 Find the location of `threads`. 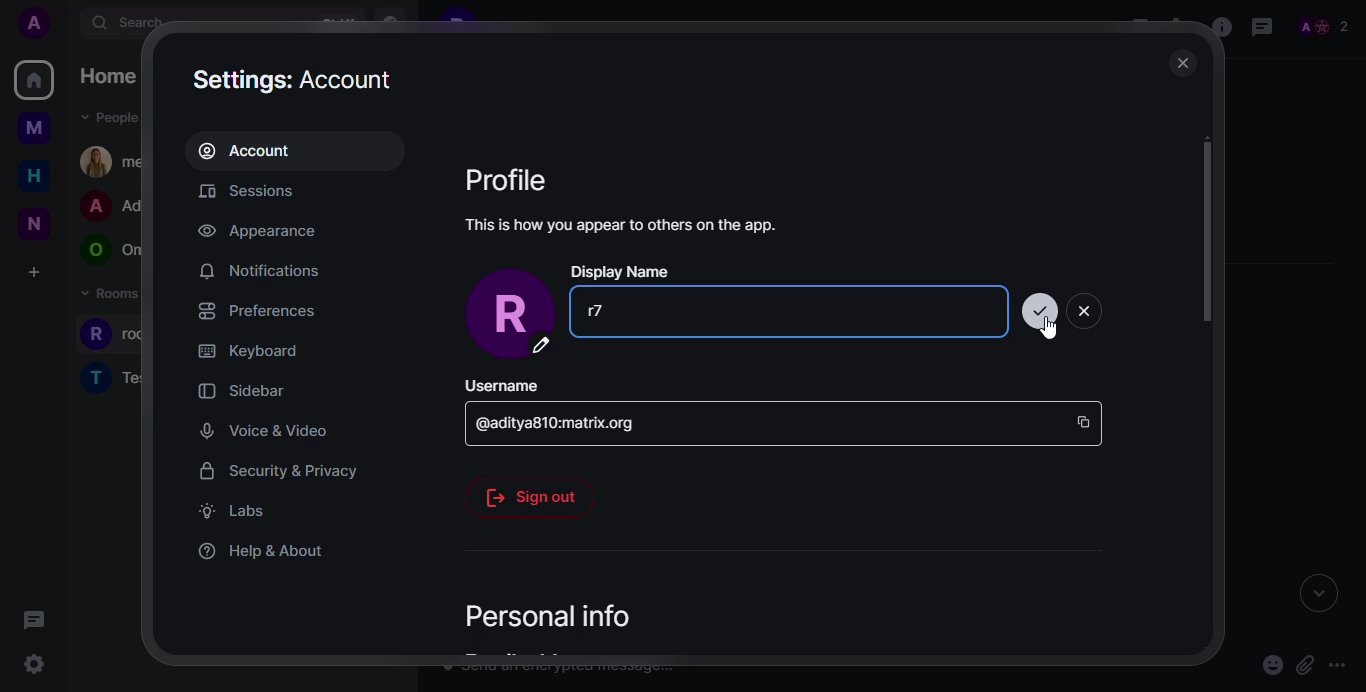

threads is located at coordinates (1262, 27).